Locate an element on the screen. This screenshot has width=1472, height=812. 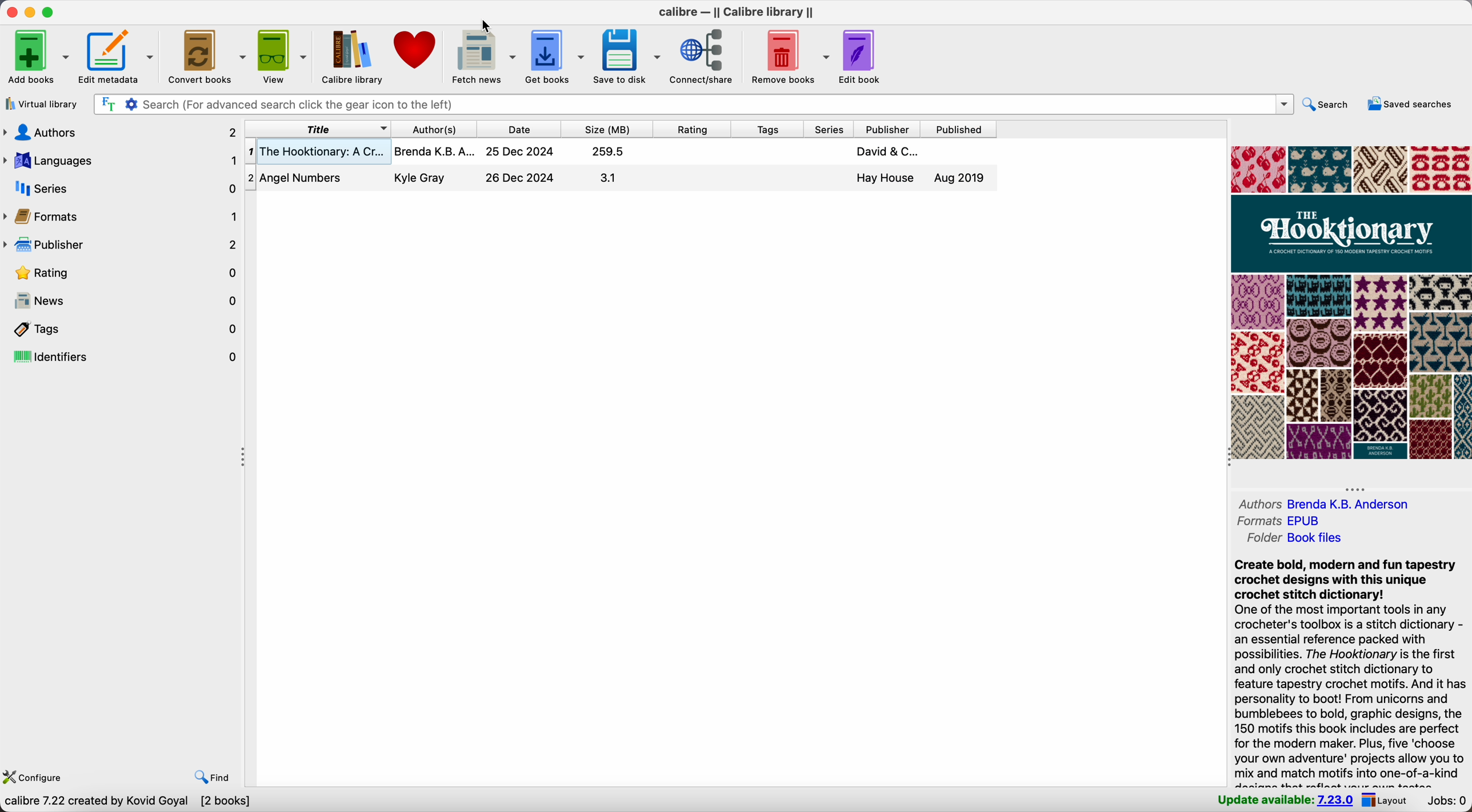
add books is located at coordinates (38, 58).